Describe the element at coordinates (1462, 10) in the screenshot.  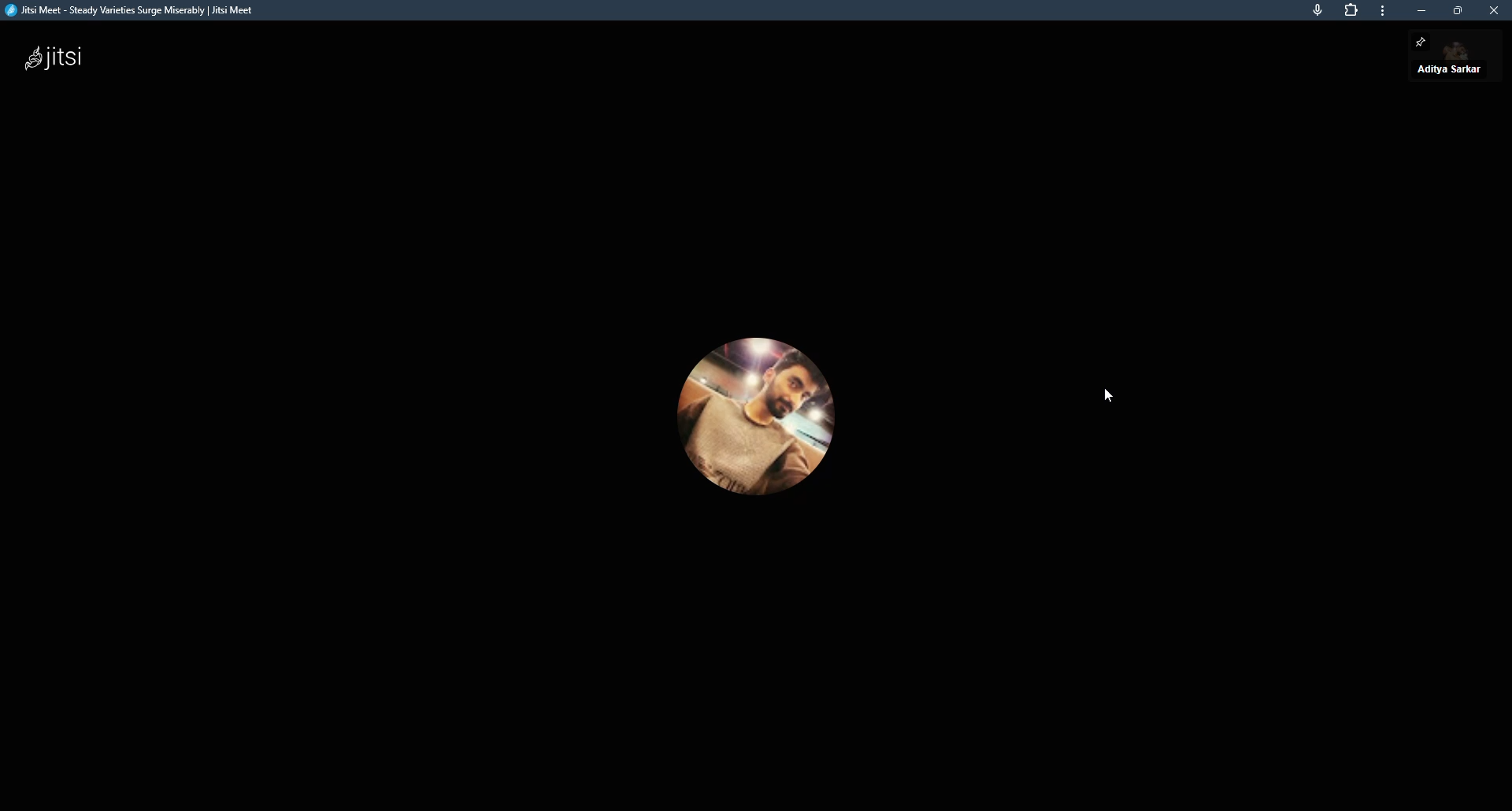
I see `maximize` at that location.